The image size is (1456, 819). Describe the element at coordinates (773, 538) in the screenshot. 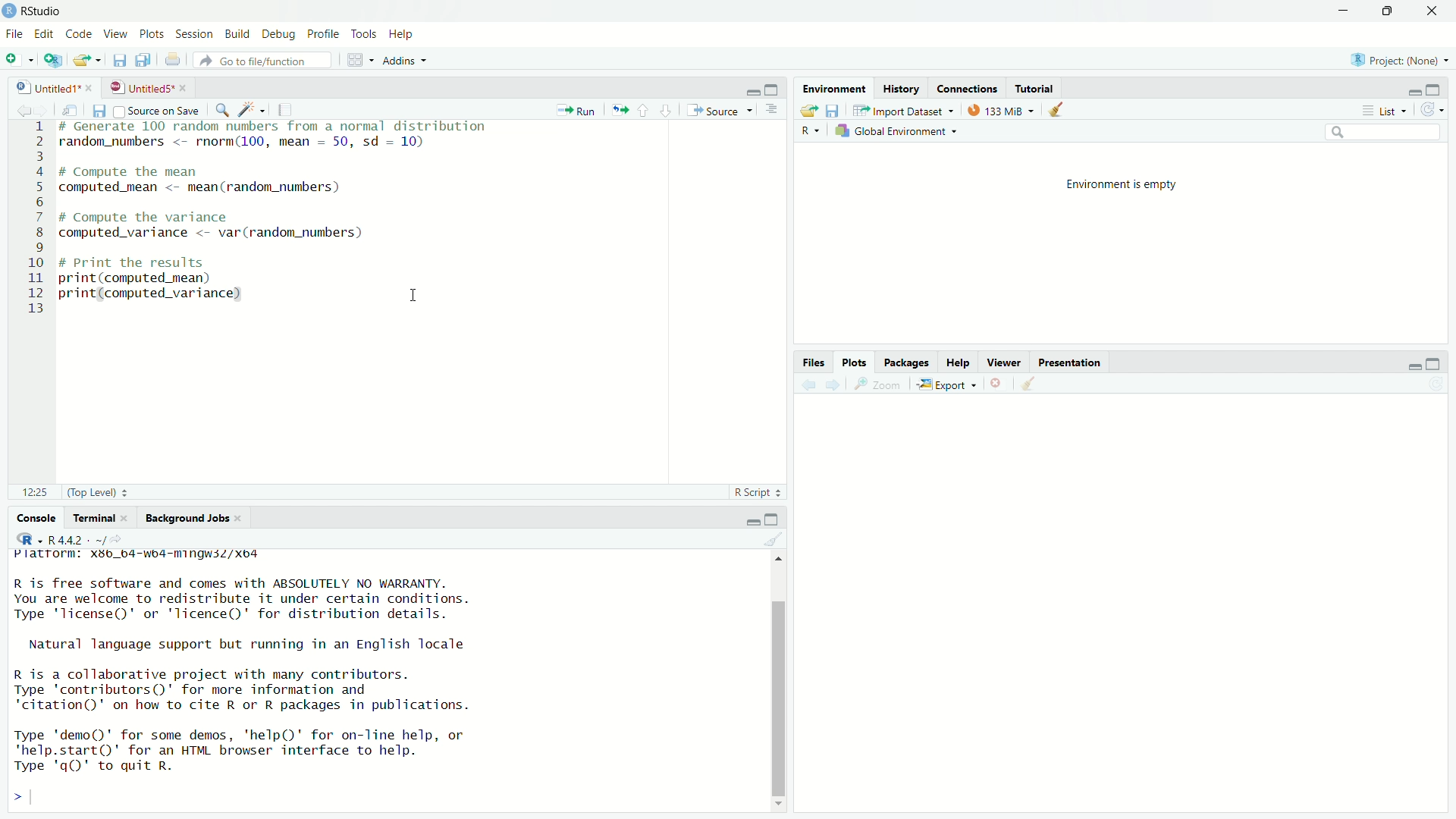

I see `clear console` at that location.